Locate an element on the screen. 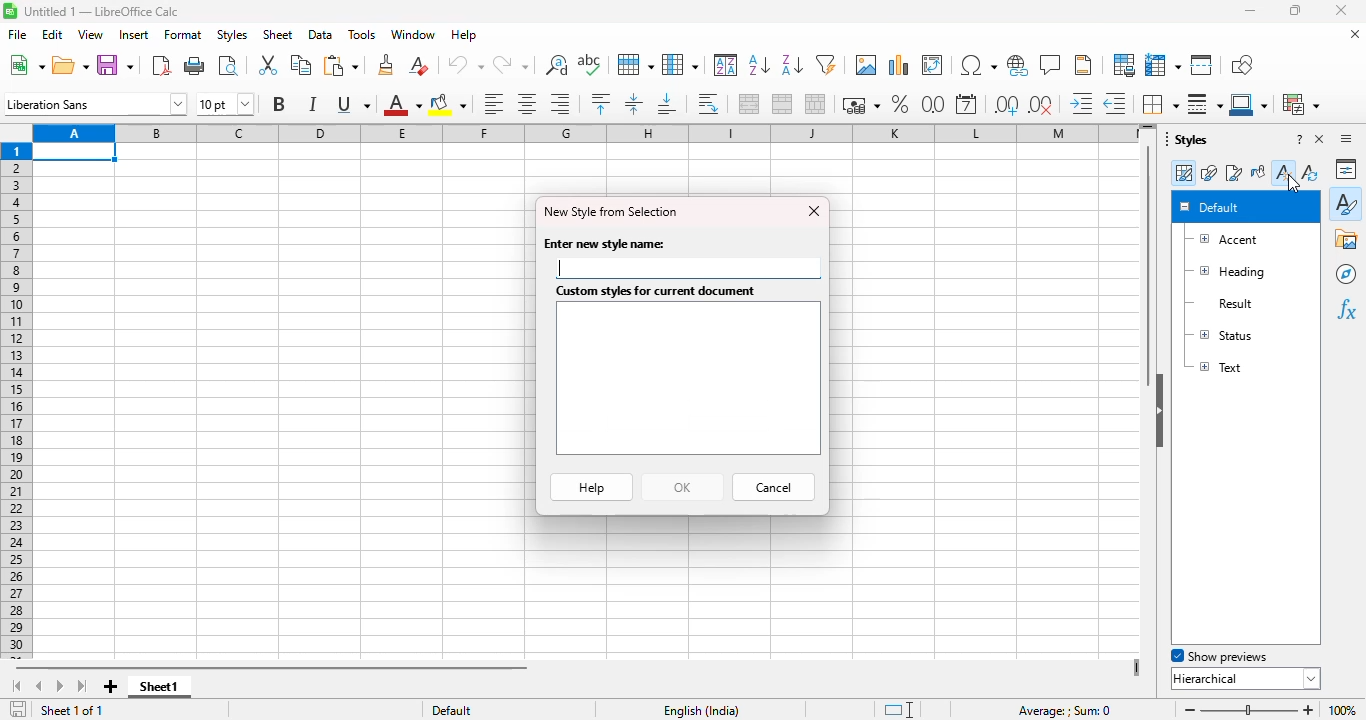 Image resolution: width=1366 pixels, height=720 pixels. sheet is located at coordinates (277, 35).